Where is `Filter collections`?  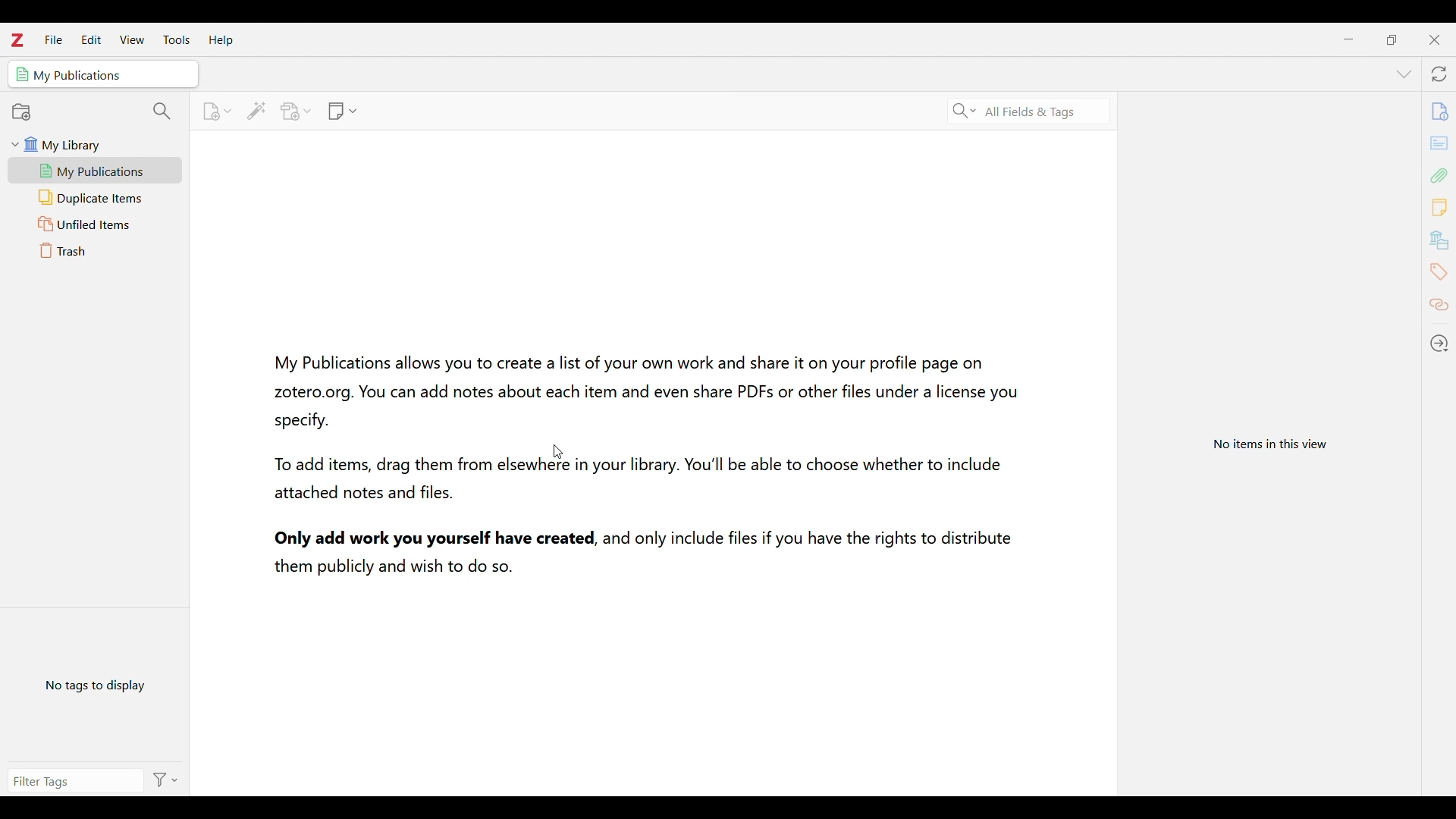
Filter collections is located at coordinates (163, 112).